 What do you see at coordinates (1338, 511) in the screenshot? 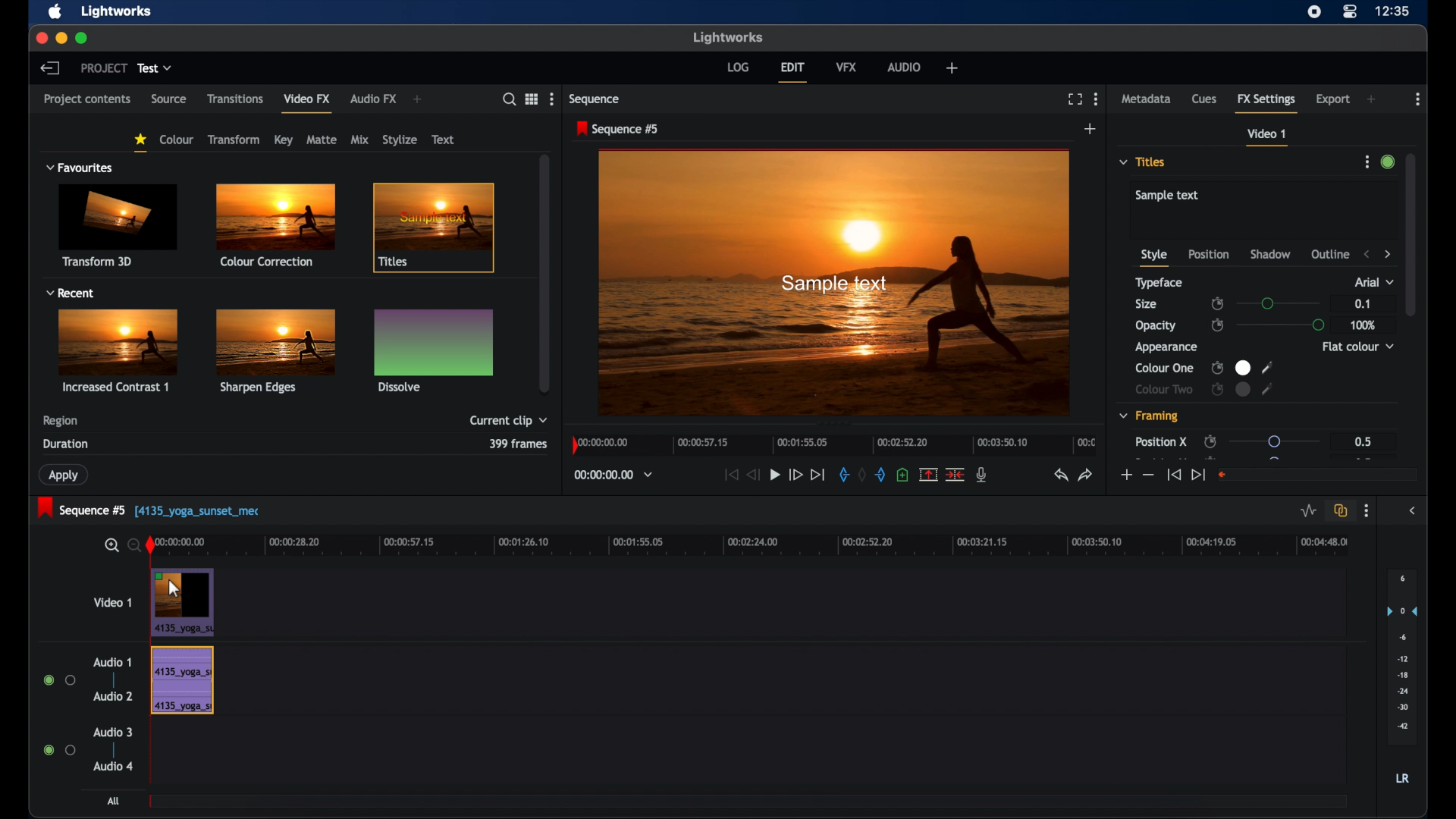
I see `toggle all all track sync` at bounding box center [1338, 511].